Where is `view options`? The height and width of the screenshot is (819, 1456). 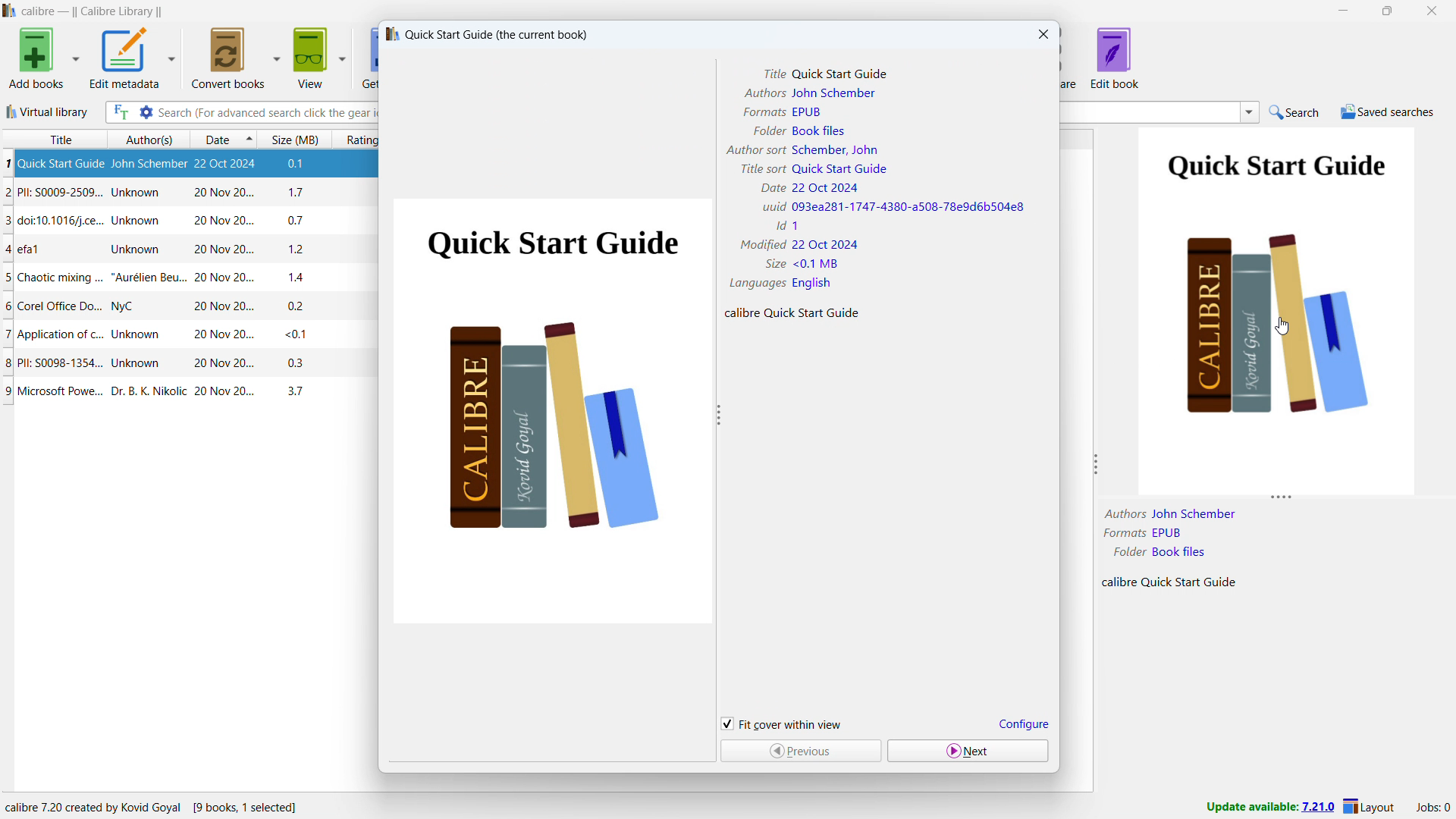 view options is located at coordinates (342, 58).